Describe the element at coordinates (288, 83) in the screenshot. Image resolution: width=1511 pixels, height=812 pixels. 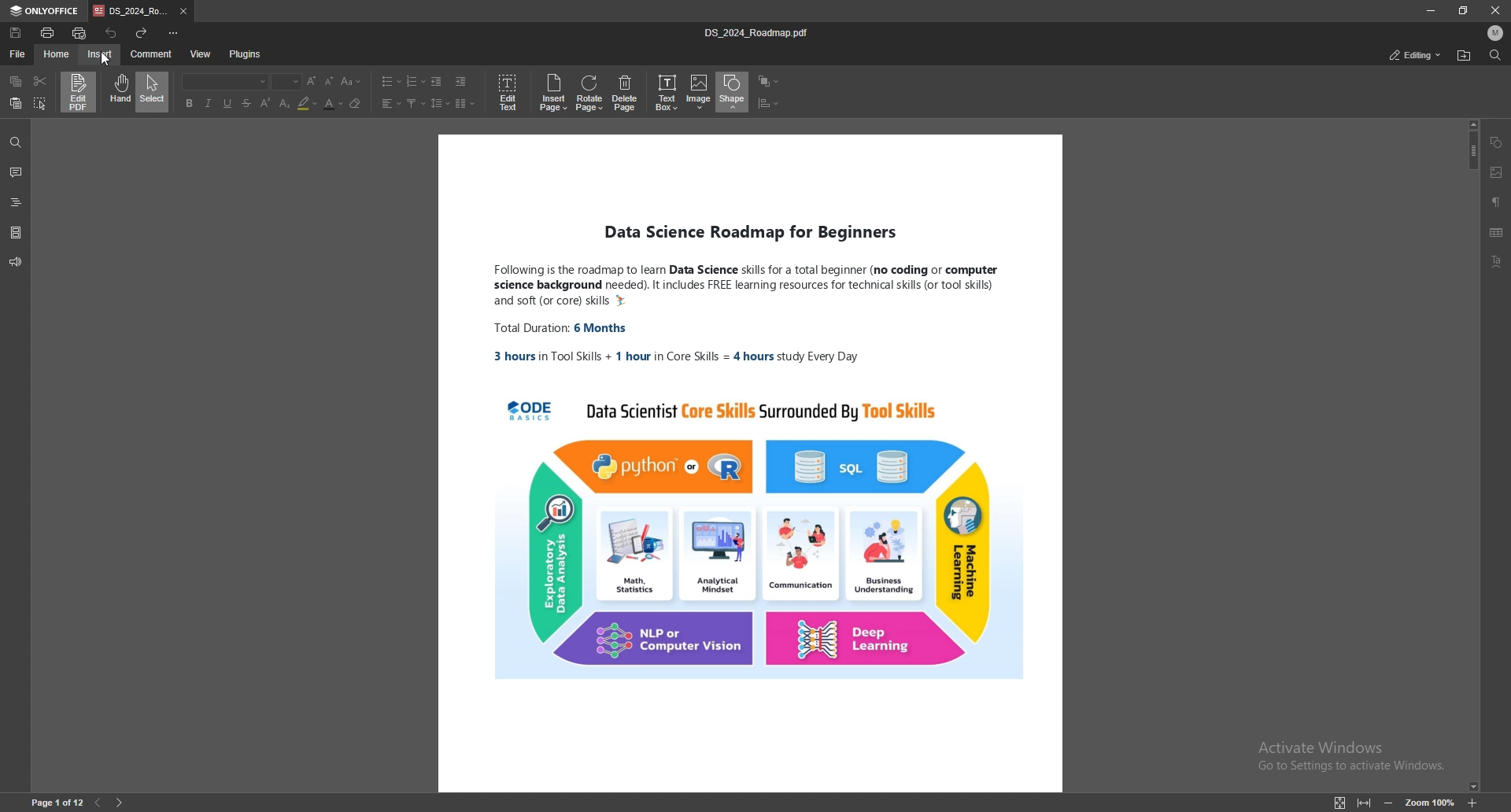
I see `font size` at that location.